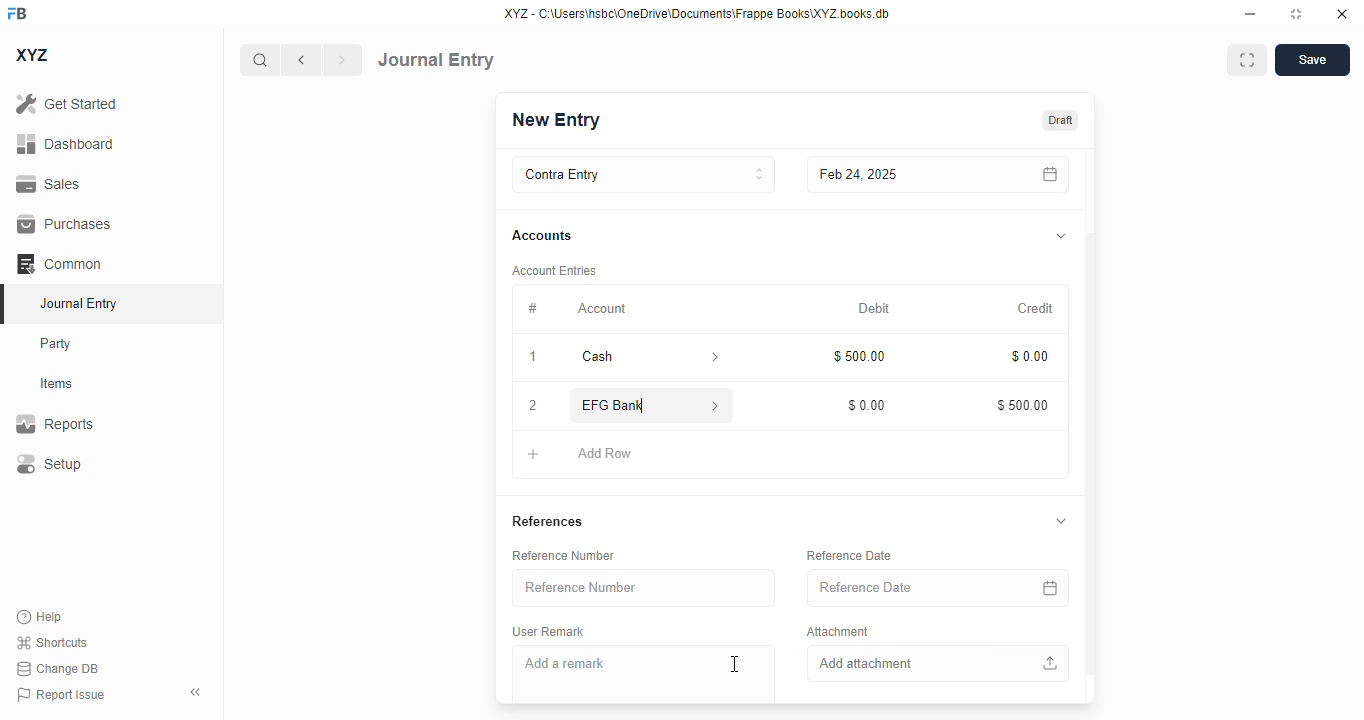 This screenshot has height=720, width=1364. What do you see at coordinates (645, 588) in the screenshot?
I see `reference number` at bounding box center [645, 588].